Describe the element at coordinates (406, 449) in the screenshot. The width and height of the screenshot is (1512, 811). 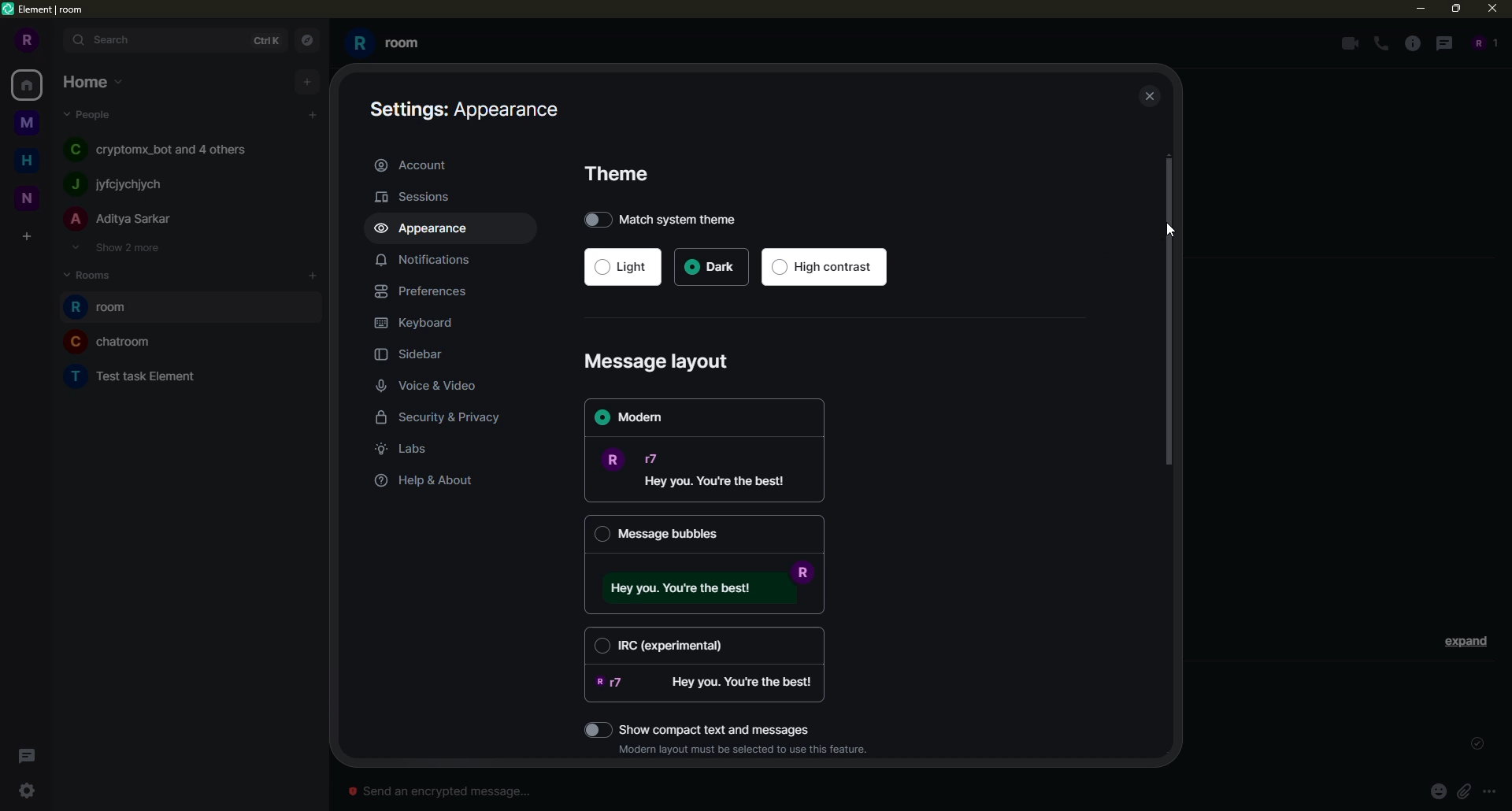
I see `labs` at that location.